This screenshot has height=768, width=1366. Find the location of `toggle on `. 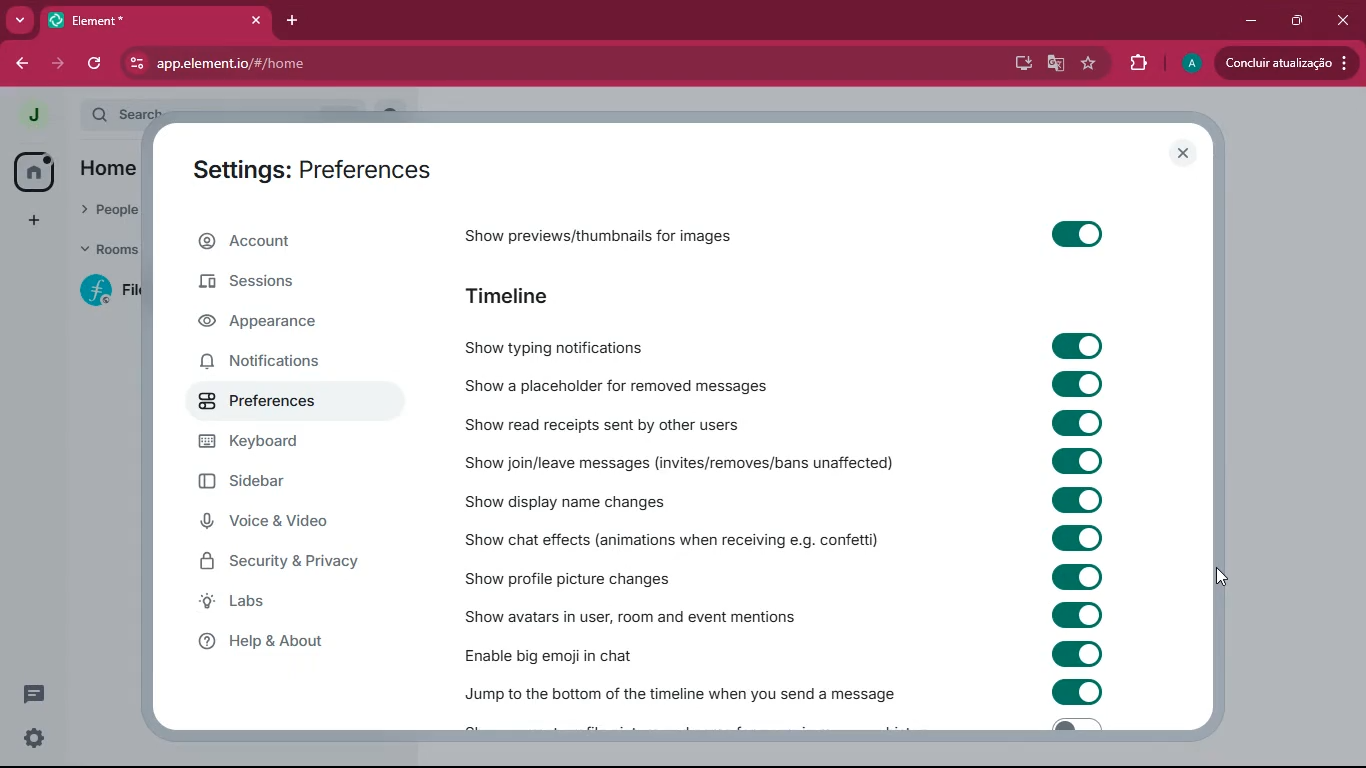

toggle on  is located at coordinates (1080, 345).